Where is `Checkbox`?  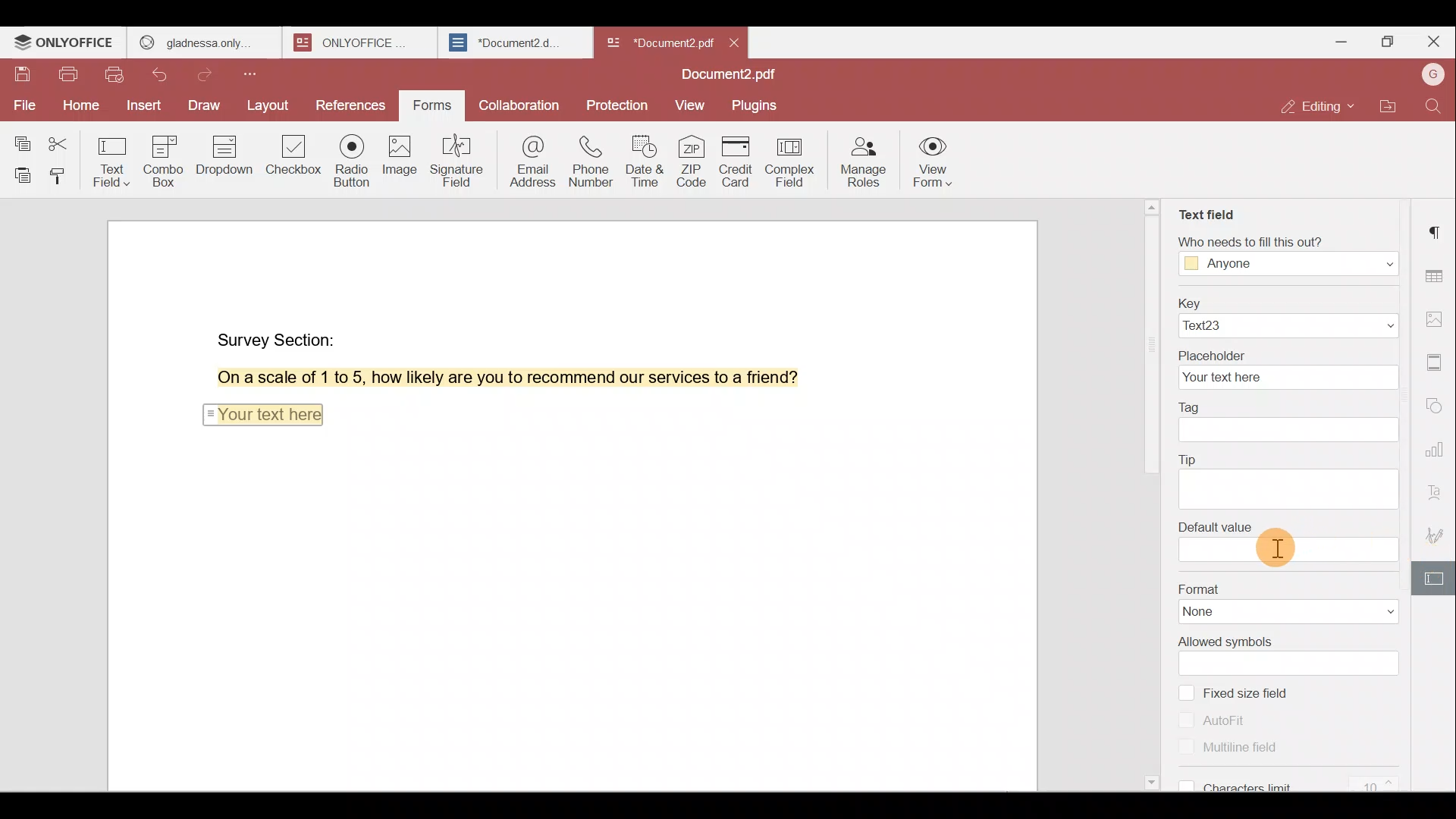
Checkbox is located at coordinates (295, 160).